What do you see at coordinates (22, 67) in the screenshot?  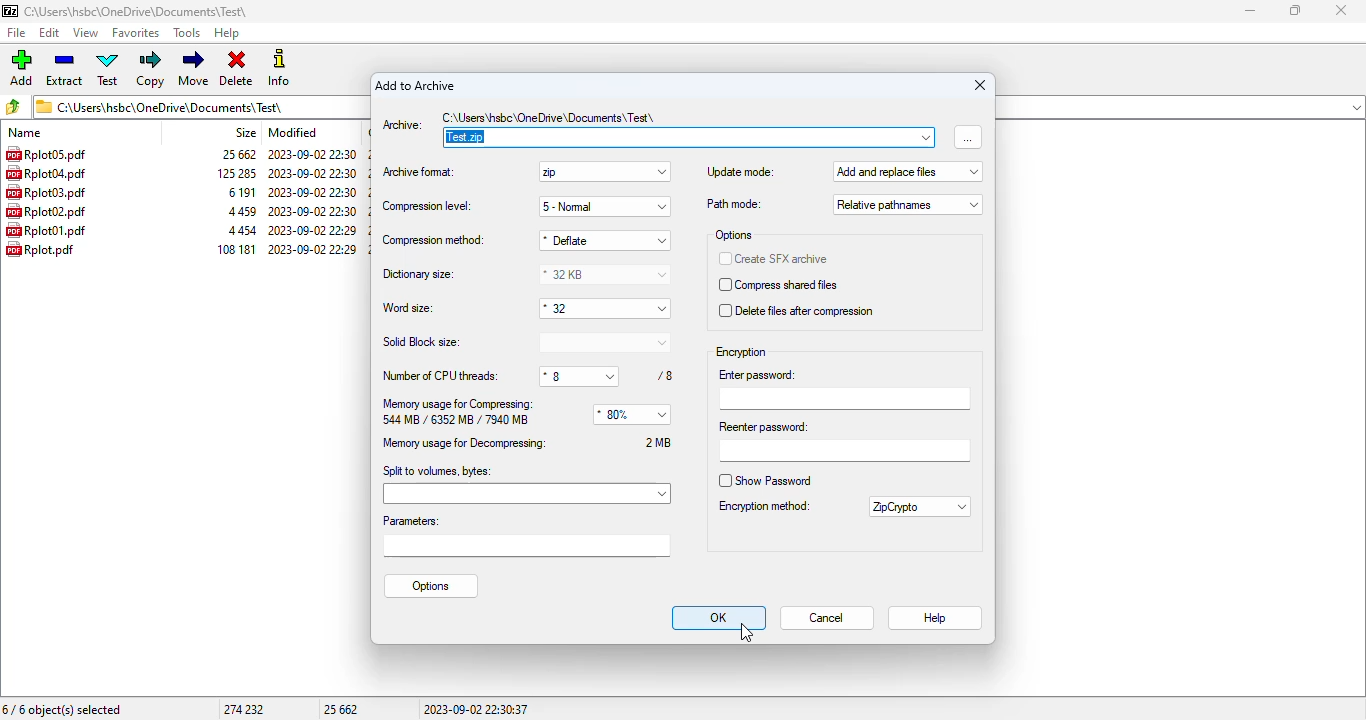 I see `add` at bounding box center [22, 67].